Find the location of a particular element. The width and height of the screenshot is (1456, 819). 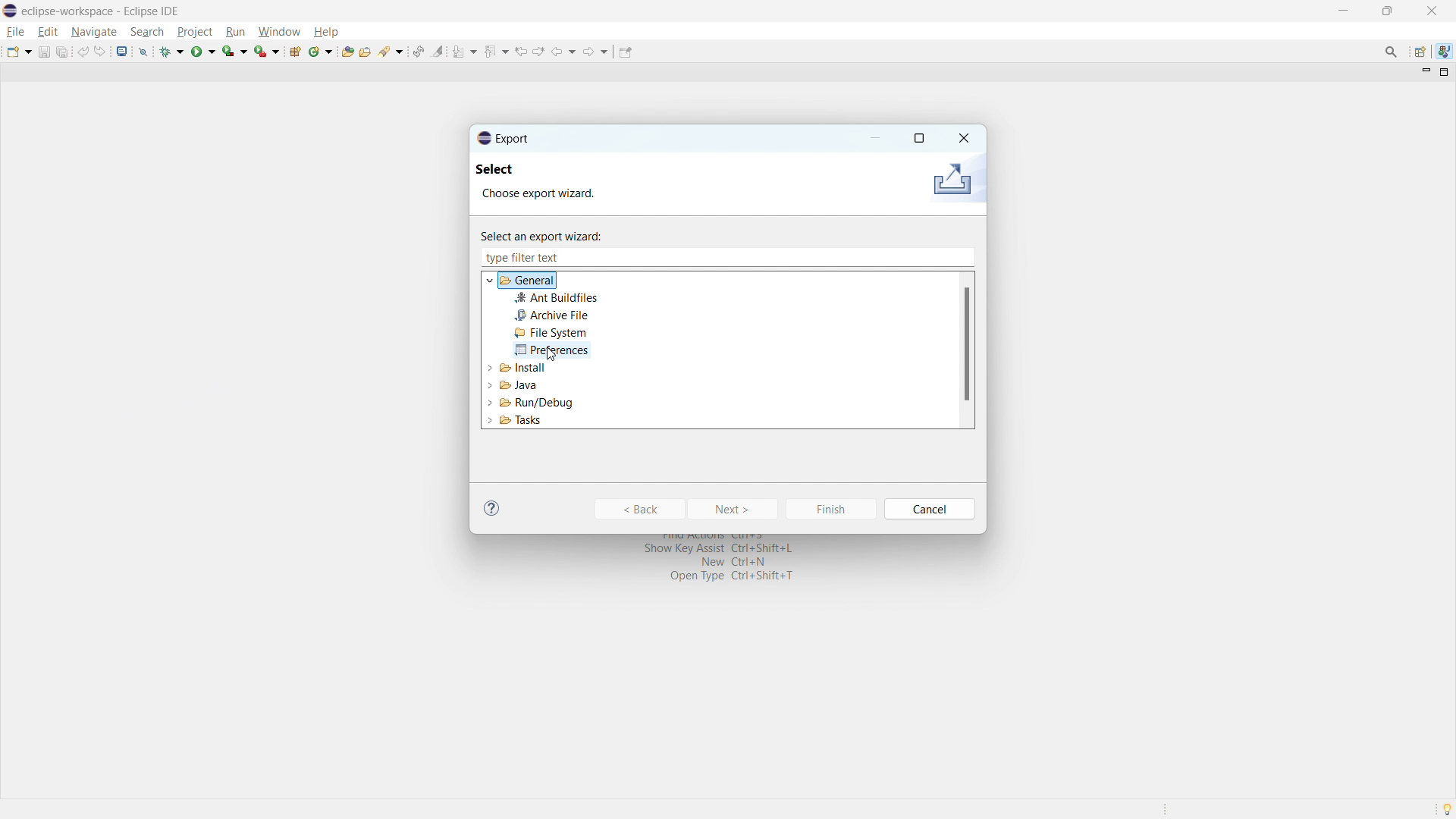

search is located at coordinates (147, 32).